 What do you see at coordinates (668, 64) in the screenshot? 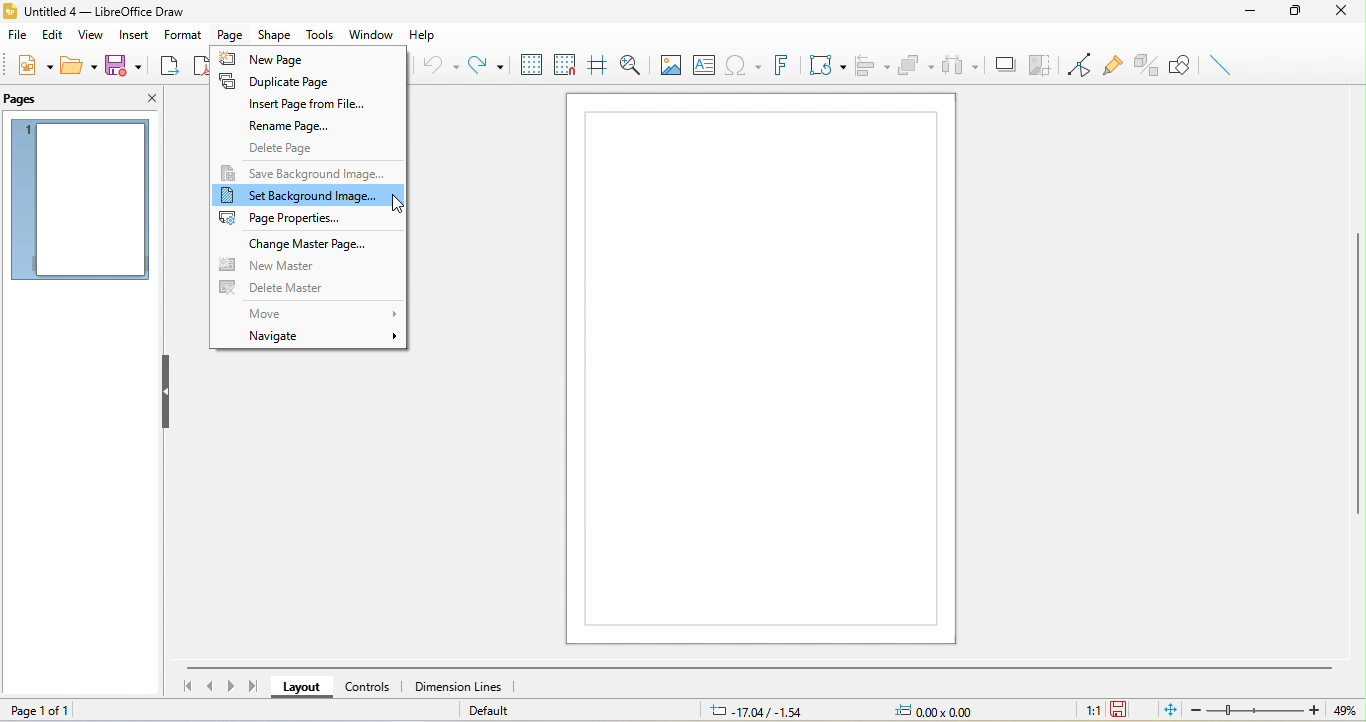
I see `image` at bounding box center [668, 64].